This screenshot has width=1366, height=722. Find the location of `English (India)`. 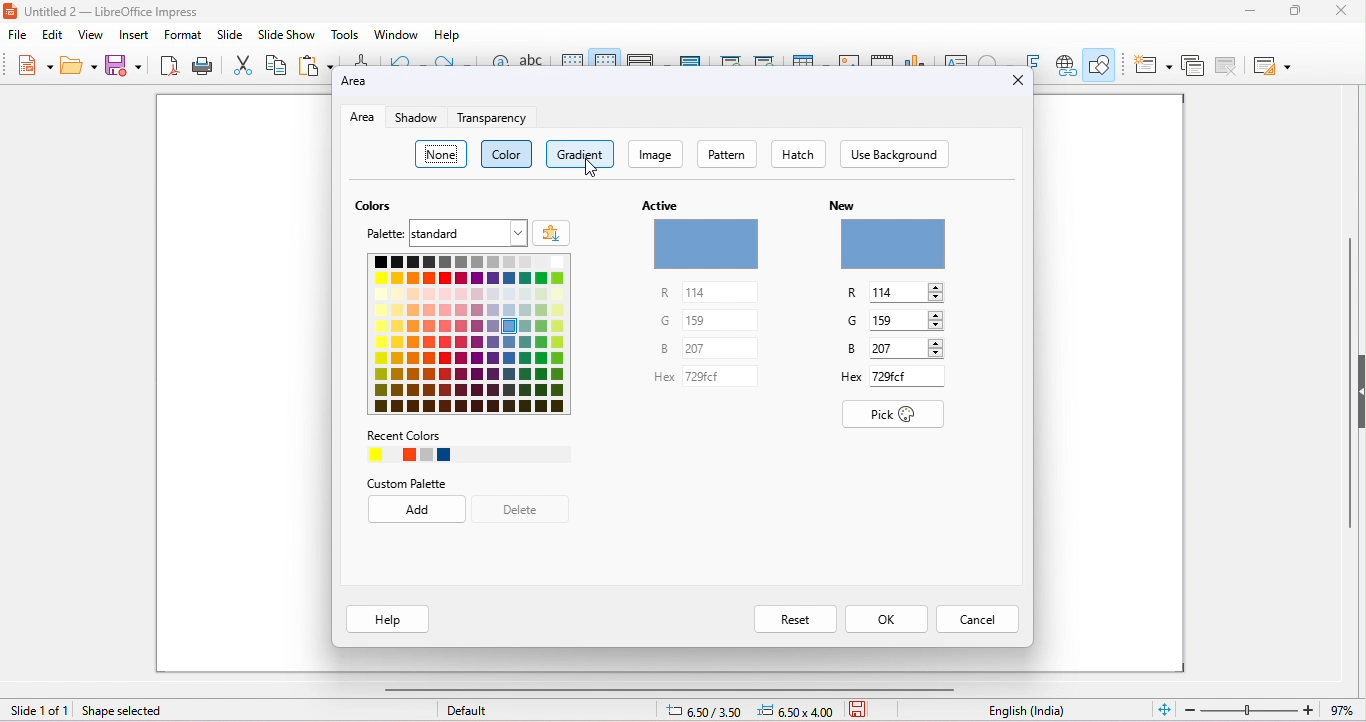

English (India) is located at coordinates (1027, 711).